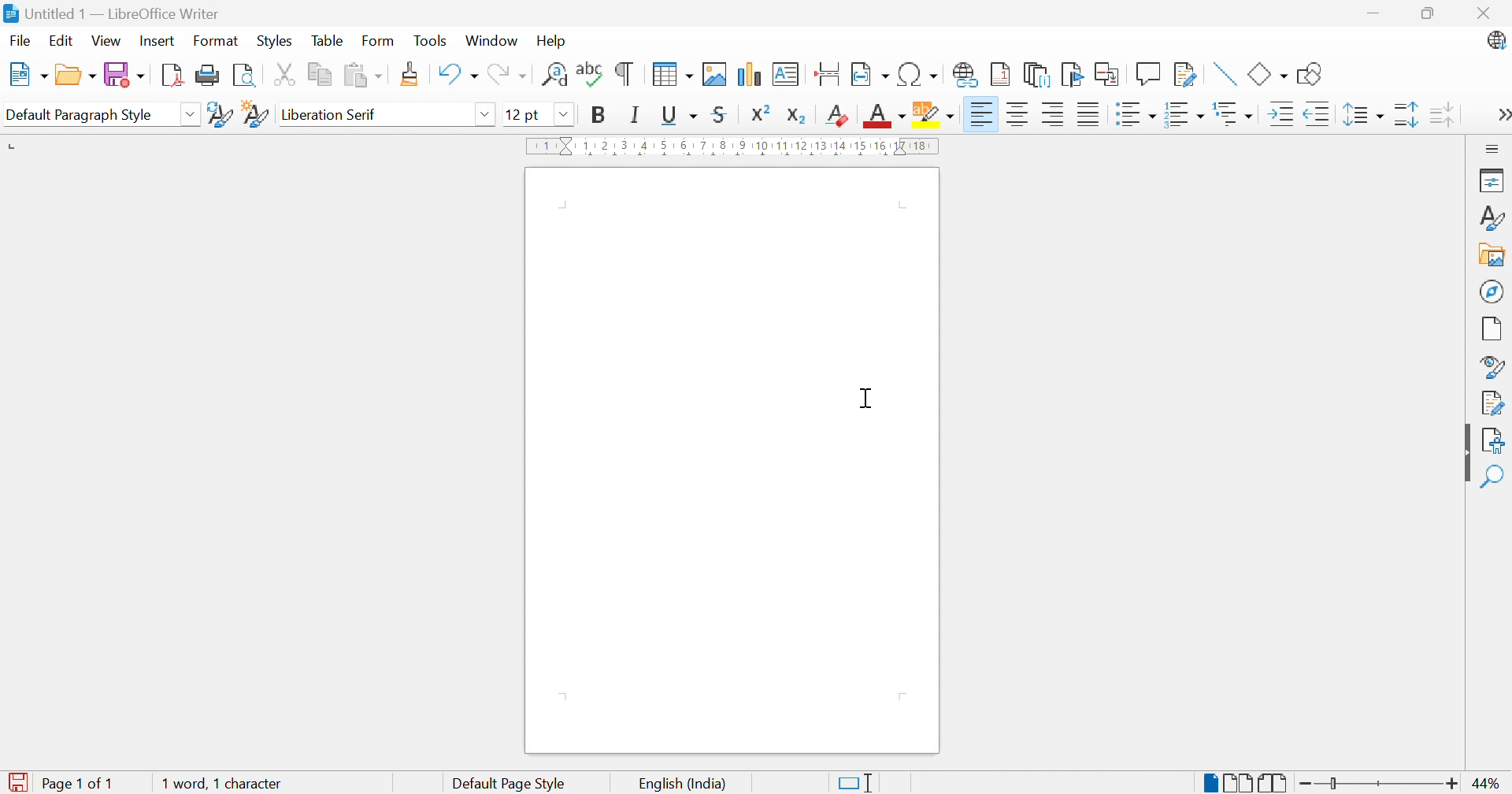 The image size is (1512, 794). I want to click on New style from selection, so click(255, 115).